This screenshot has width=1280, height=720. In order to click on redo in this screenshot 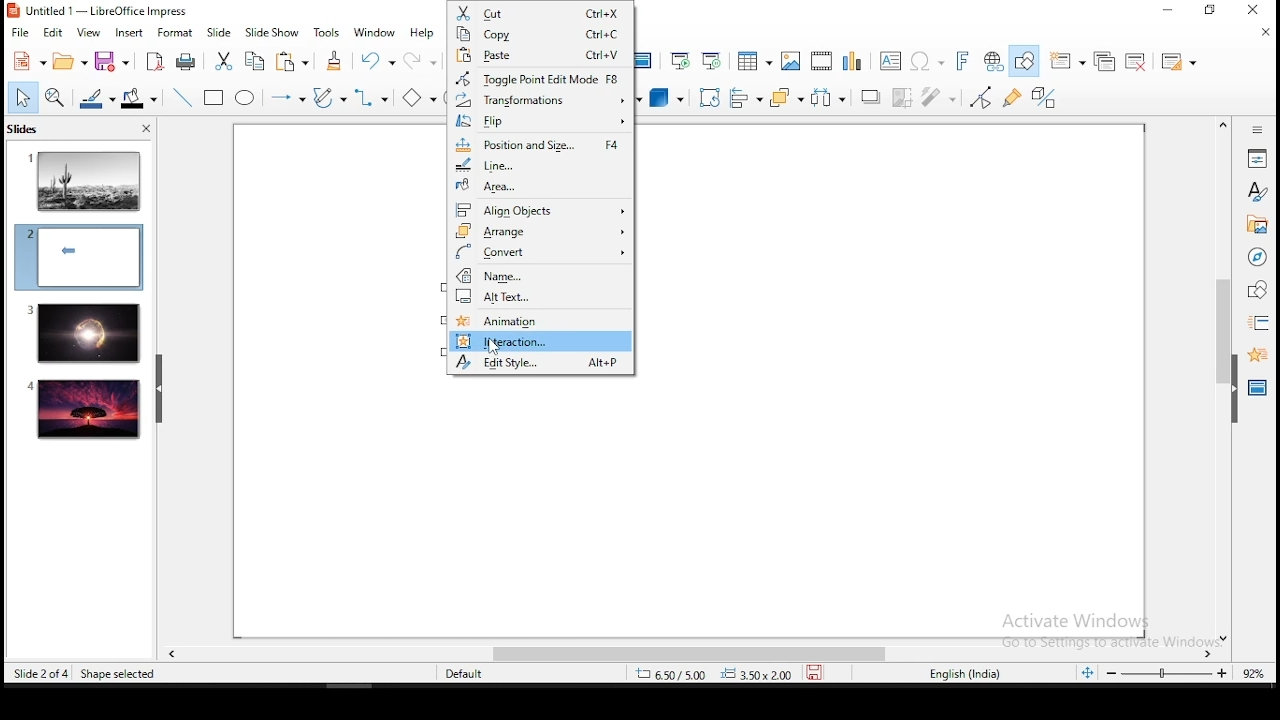, I will do `click(422, 60)`.